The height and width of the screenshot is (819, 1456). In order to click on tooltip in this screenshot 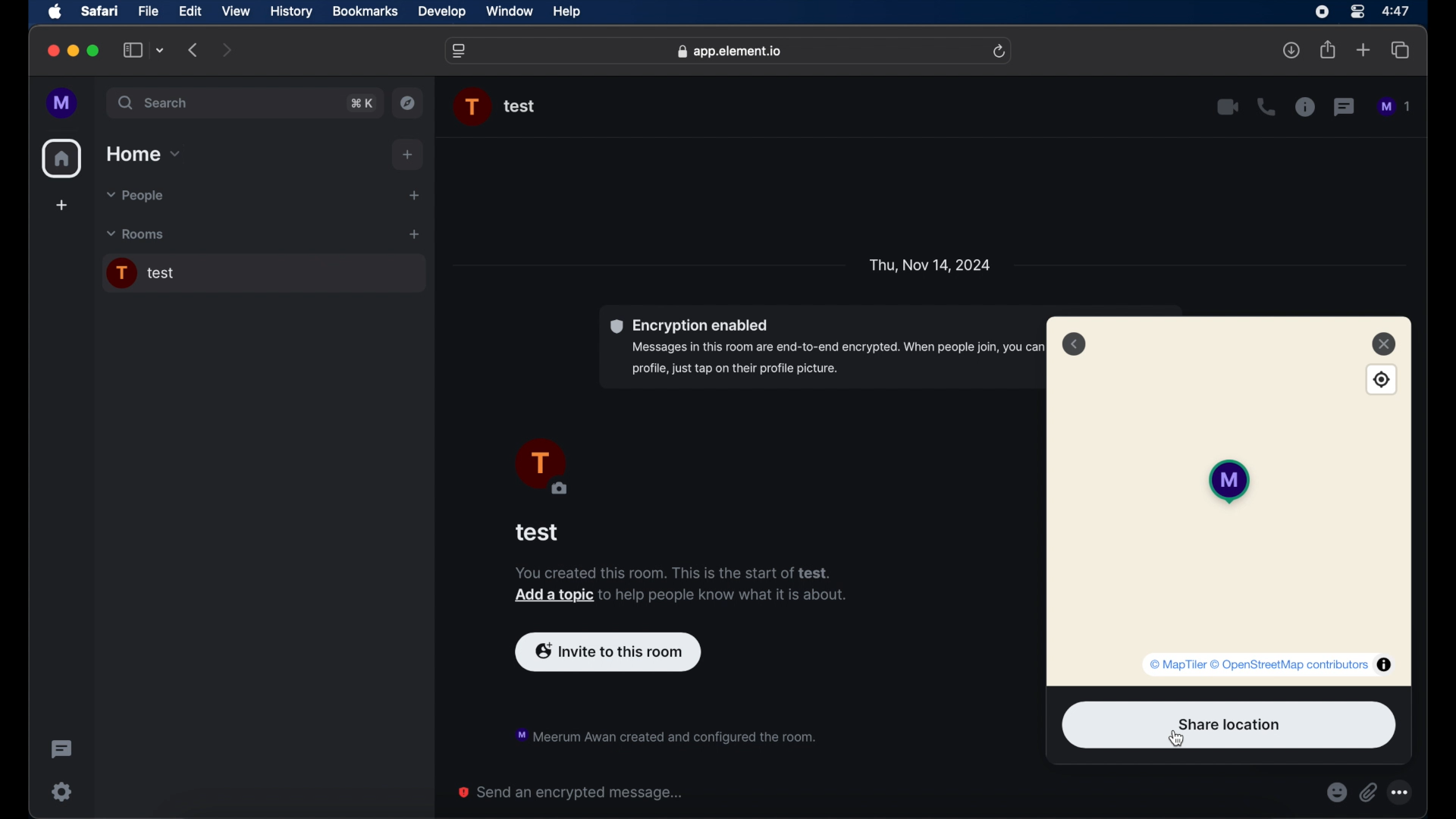, I will do `click(1270, 664)`.